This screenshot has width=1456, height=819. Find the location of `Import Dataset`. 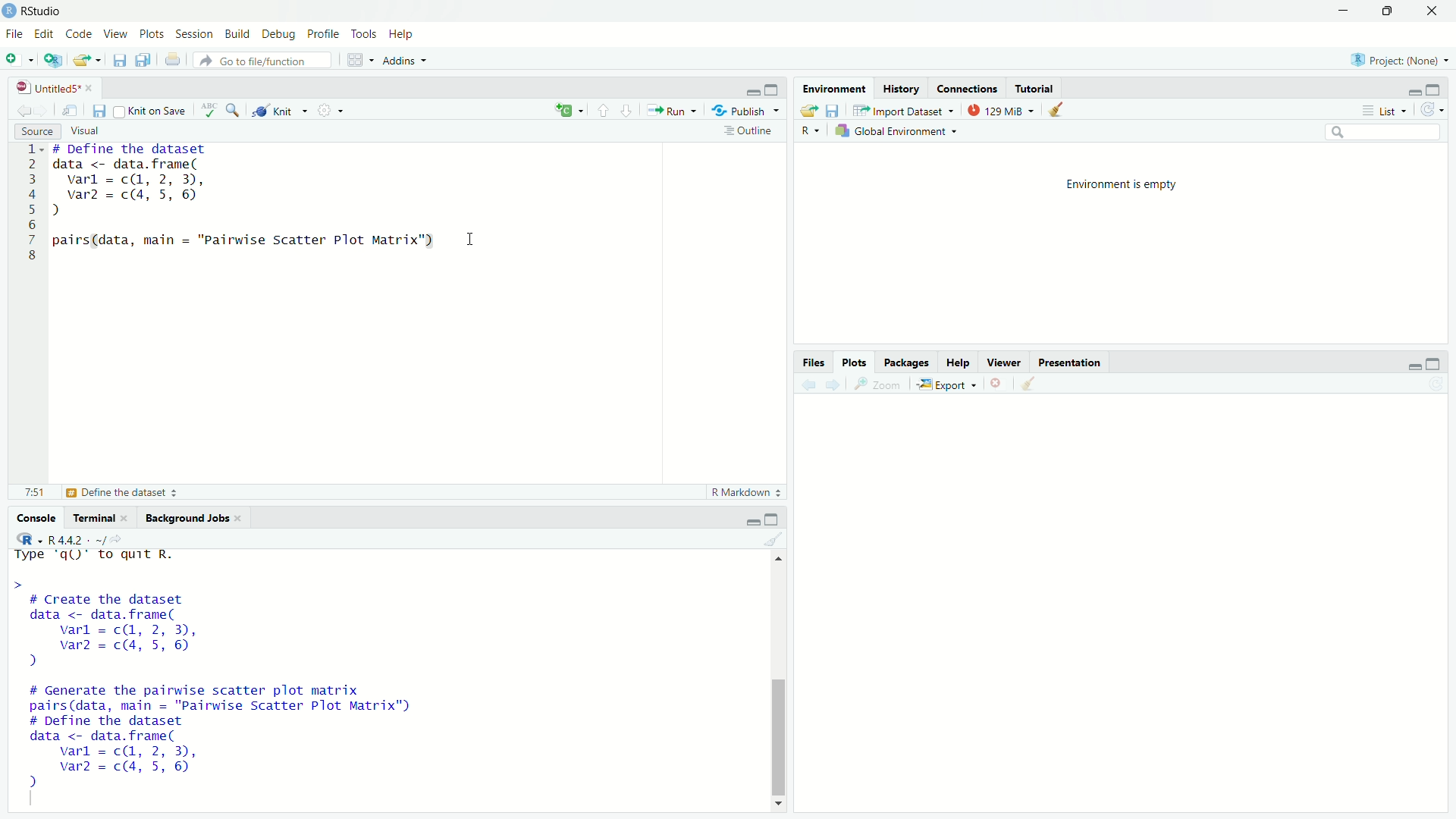

Import Dataset is located at coordinates (902, 109).